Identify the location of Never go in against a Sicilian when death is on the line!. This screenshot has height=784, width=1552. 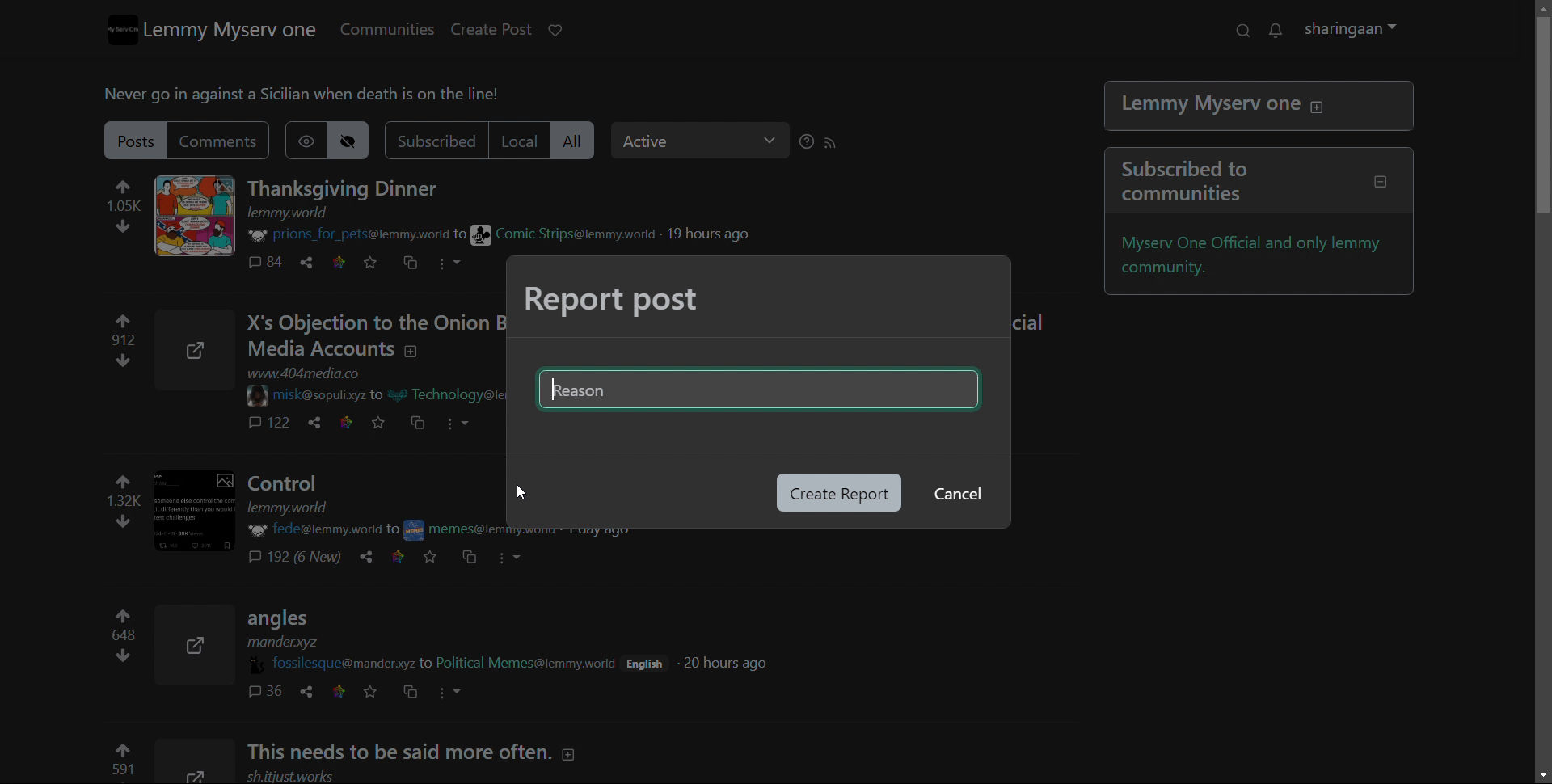
(315, 96).